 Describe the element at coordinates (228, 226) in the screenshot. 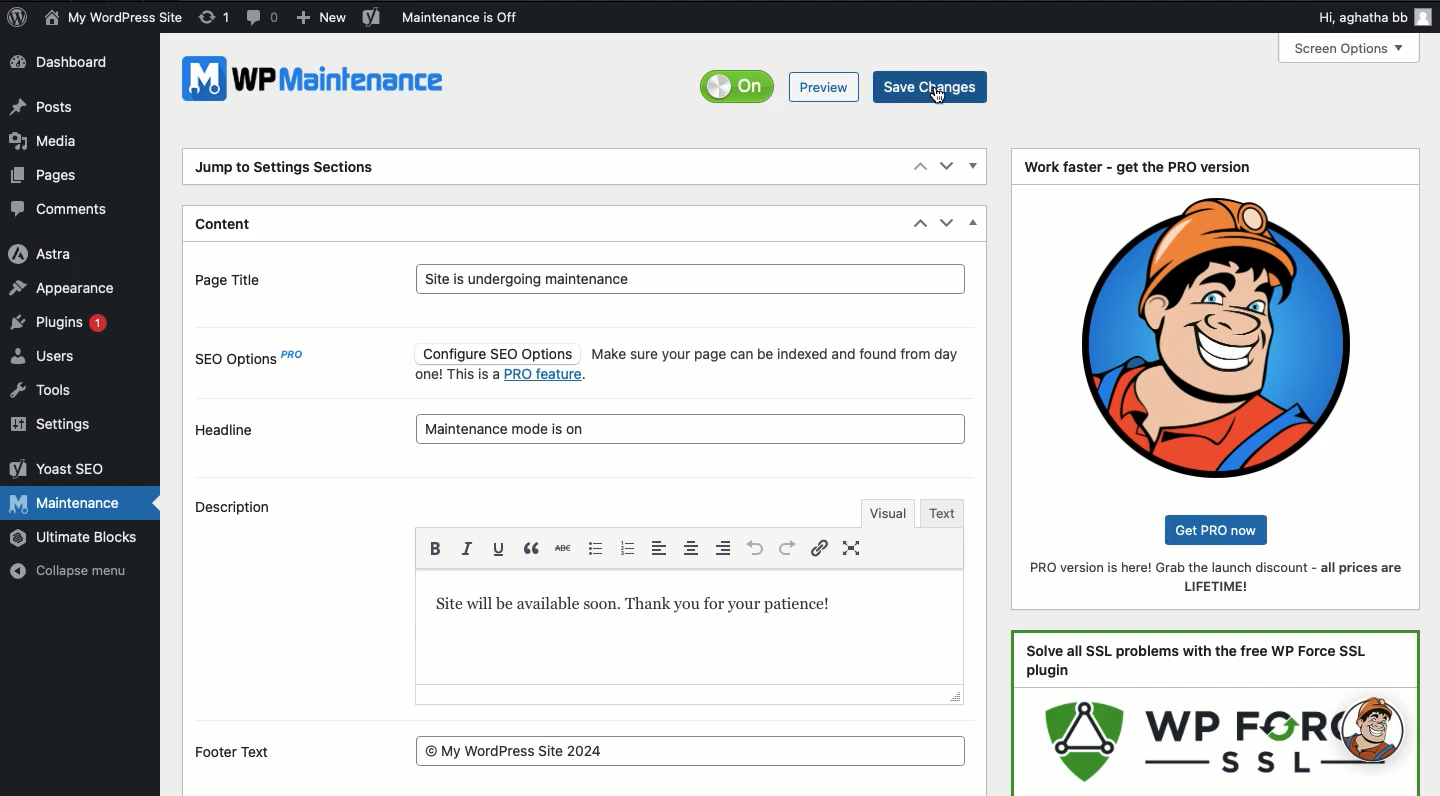

I see `Content` at that location.